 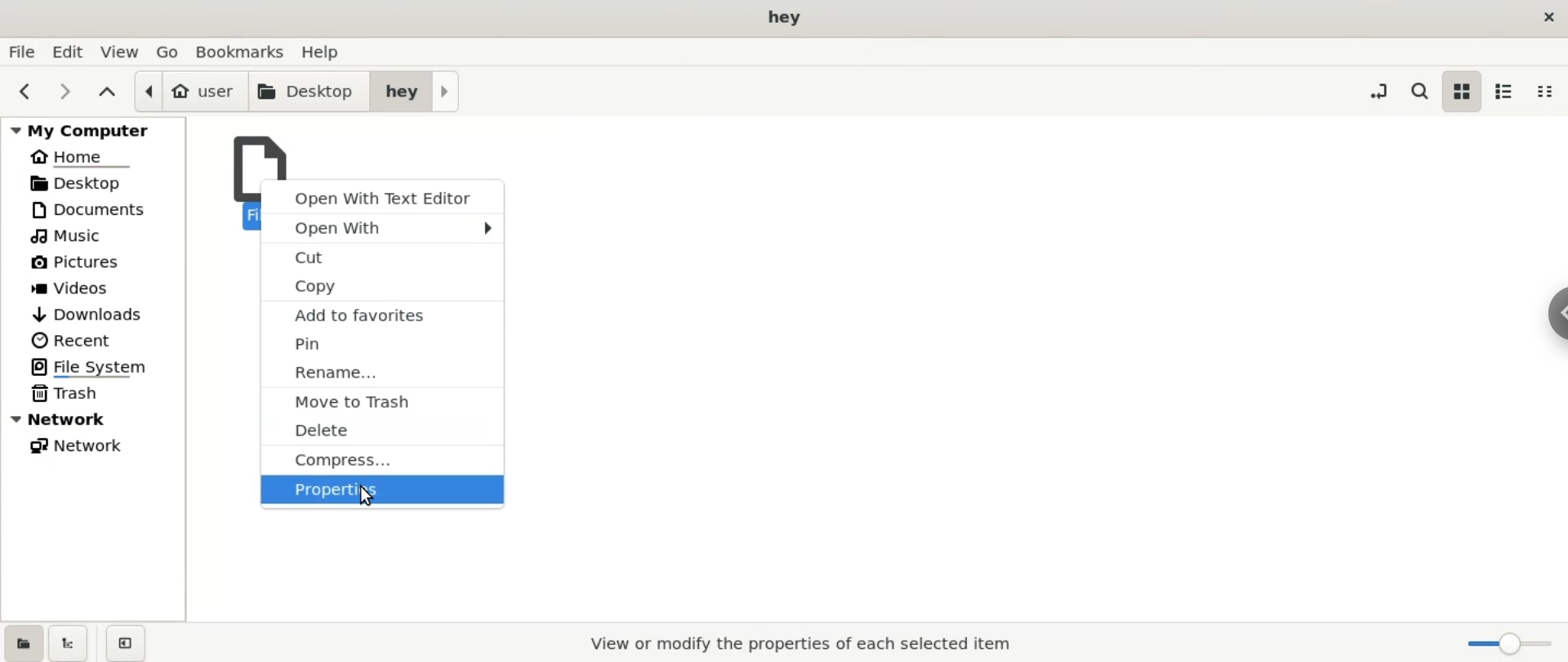 I want to click on sidebar, so click(x=1549, y=316).